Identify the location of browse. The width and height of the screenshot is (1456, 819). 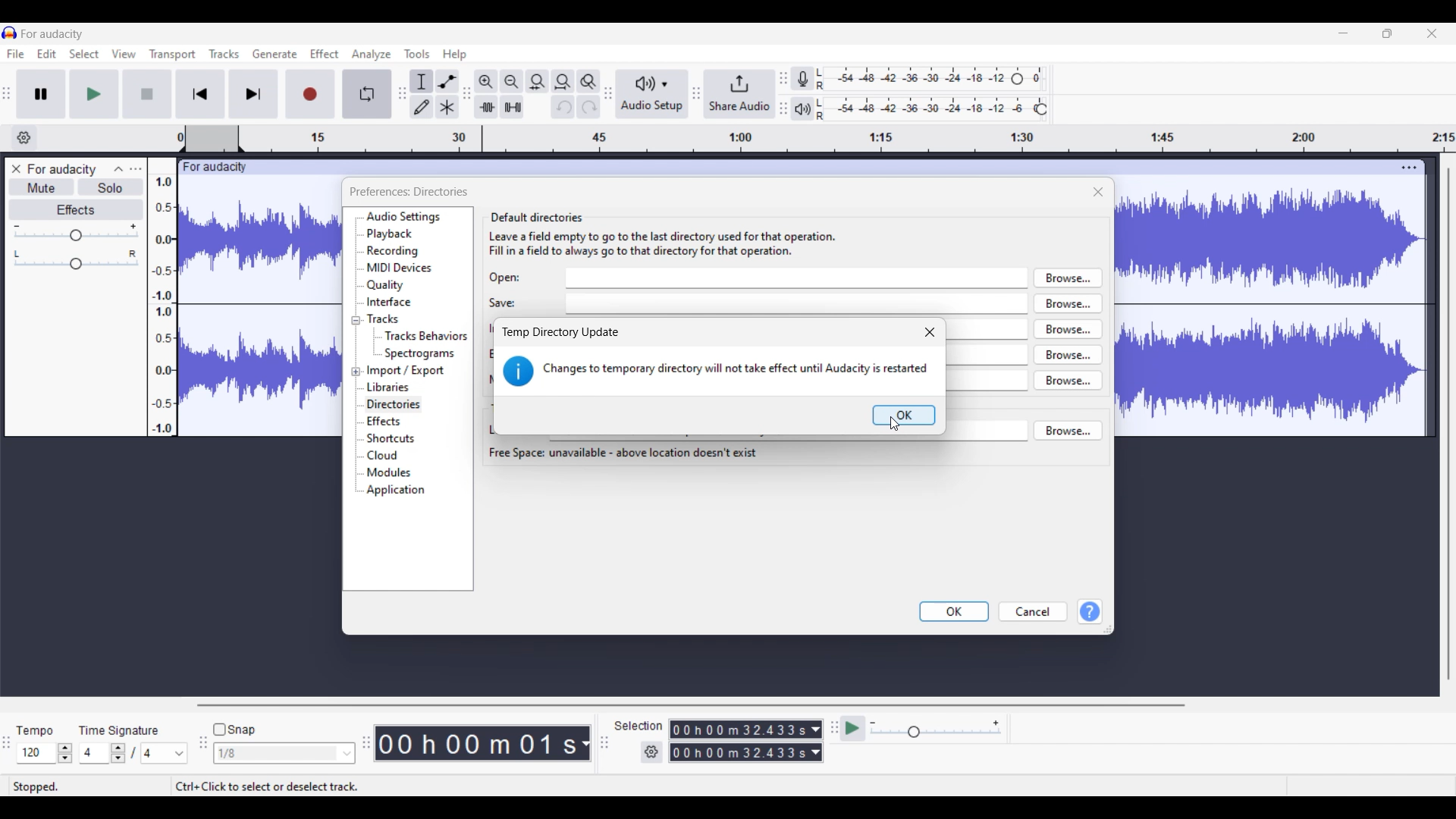
(1068, 354).